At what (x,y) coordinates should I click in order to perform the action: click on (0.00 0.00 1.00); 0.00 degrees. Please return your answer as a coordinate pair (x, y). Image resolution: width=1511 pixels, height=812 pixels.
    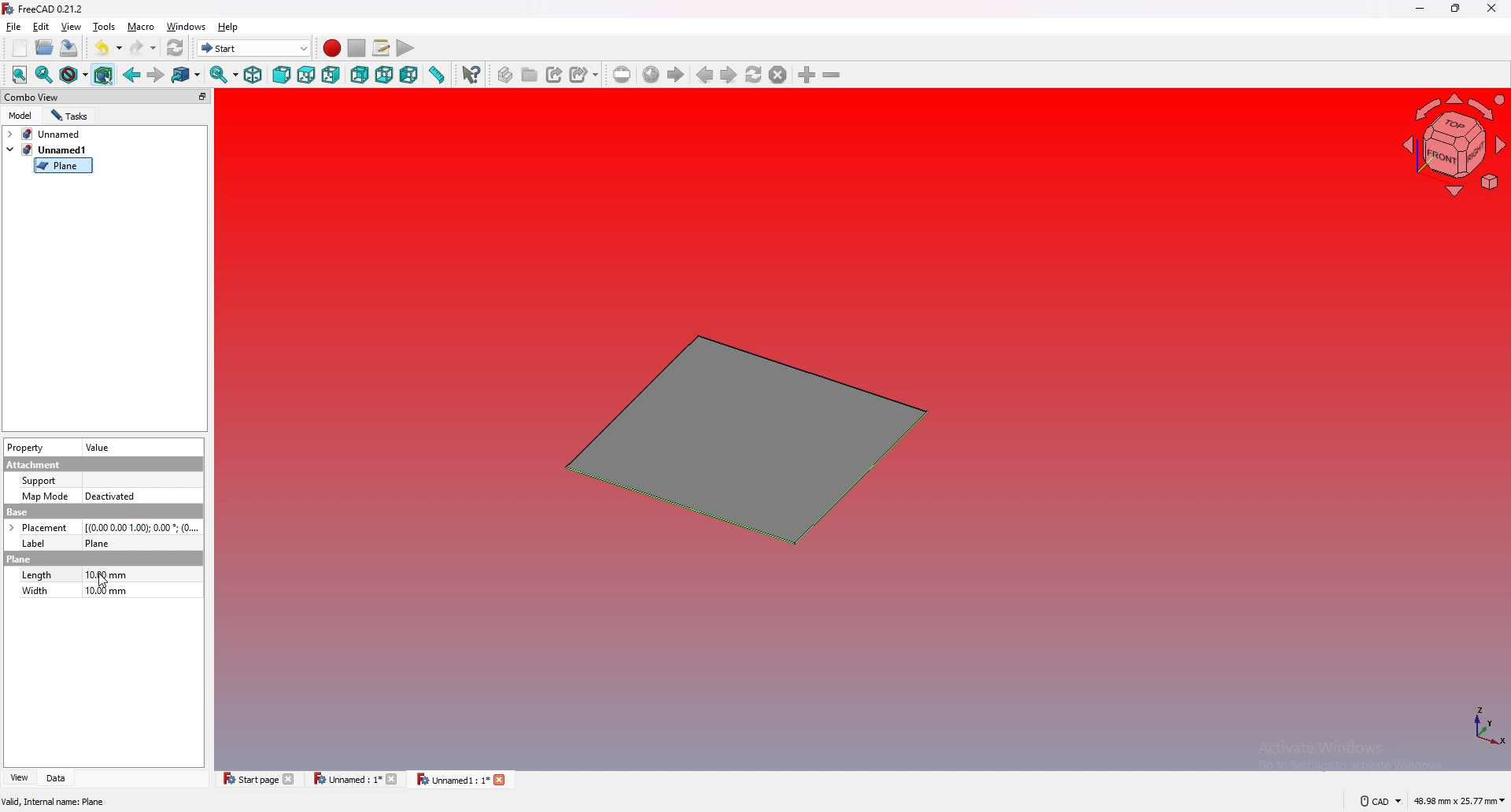
    Looking at the image, I should click on (142, 526).